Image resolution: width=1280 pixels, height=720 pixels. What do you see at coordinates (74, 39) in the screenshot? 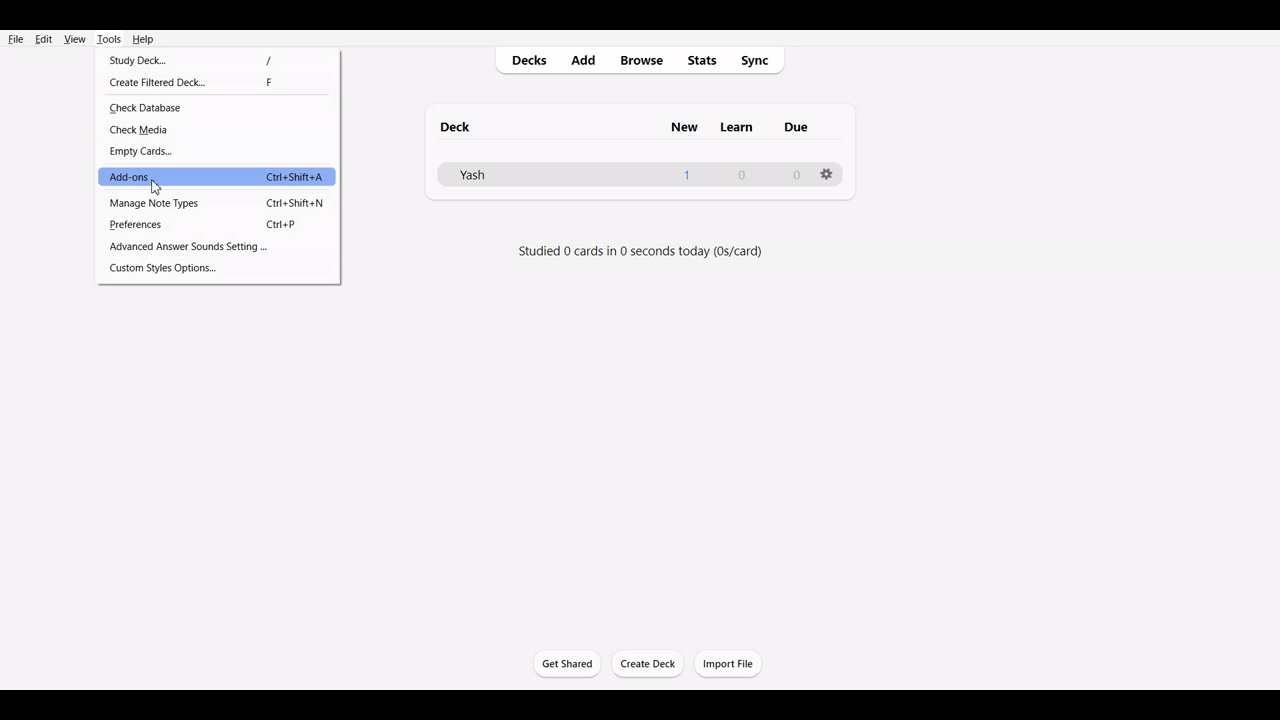
I see `View` at bounding box center [74, 39].